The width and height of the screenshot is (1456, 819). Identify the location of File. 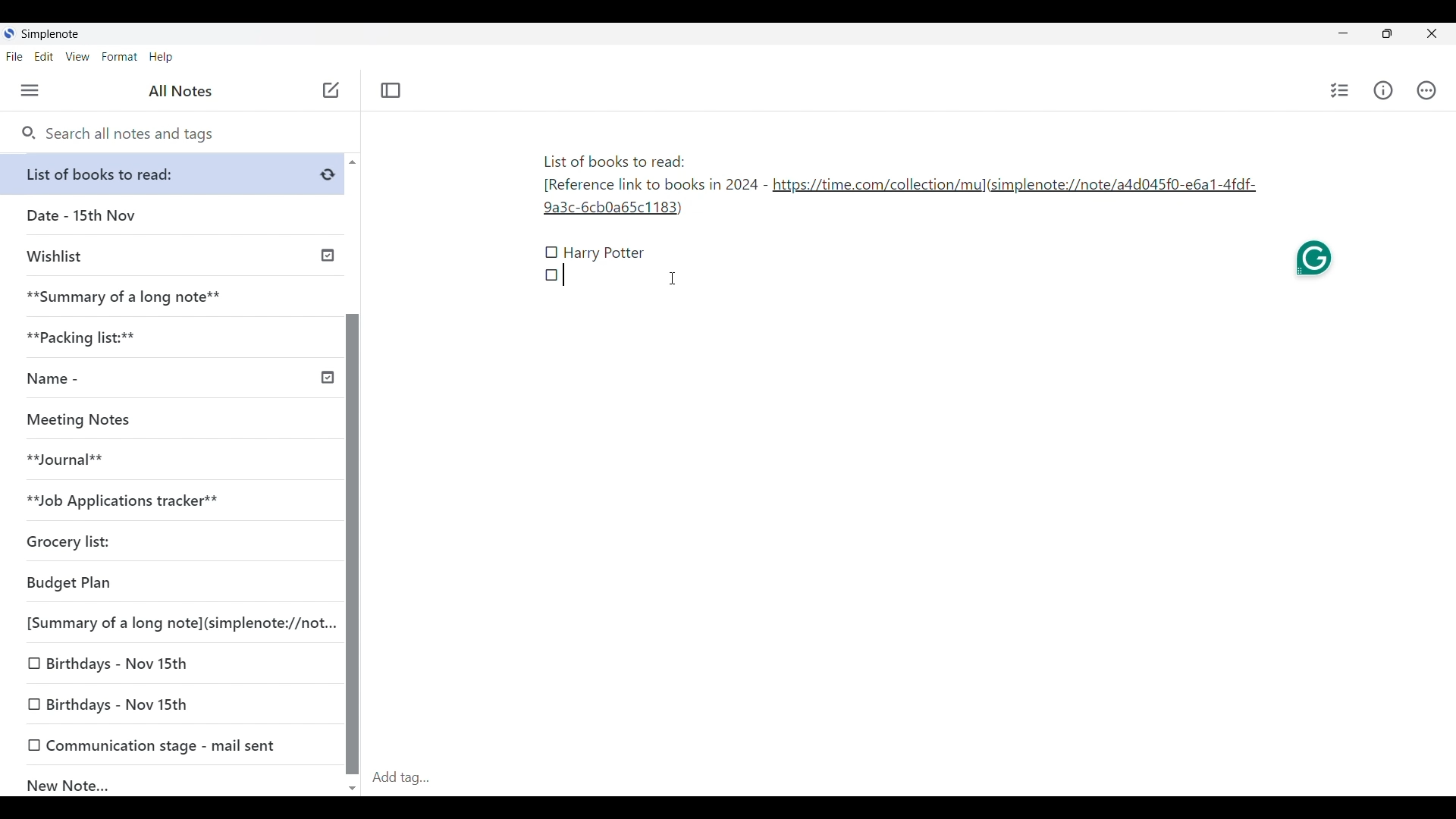
(14, 57).